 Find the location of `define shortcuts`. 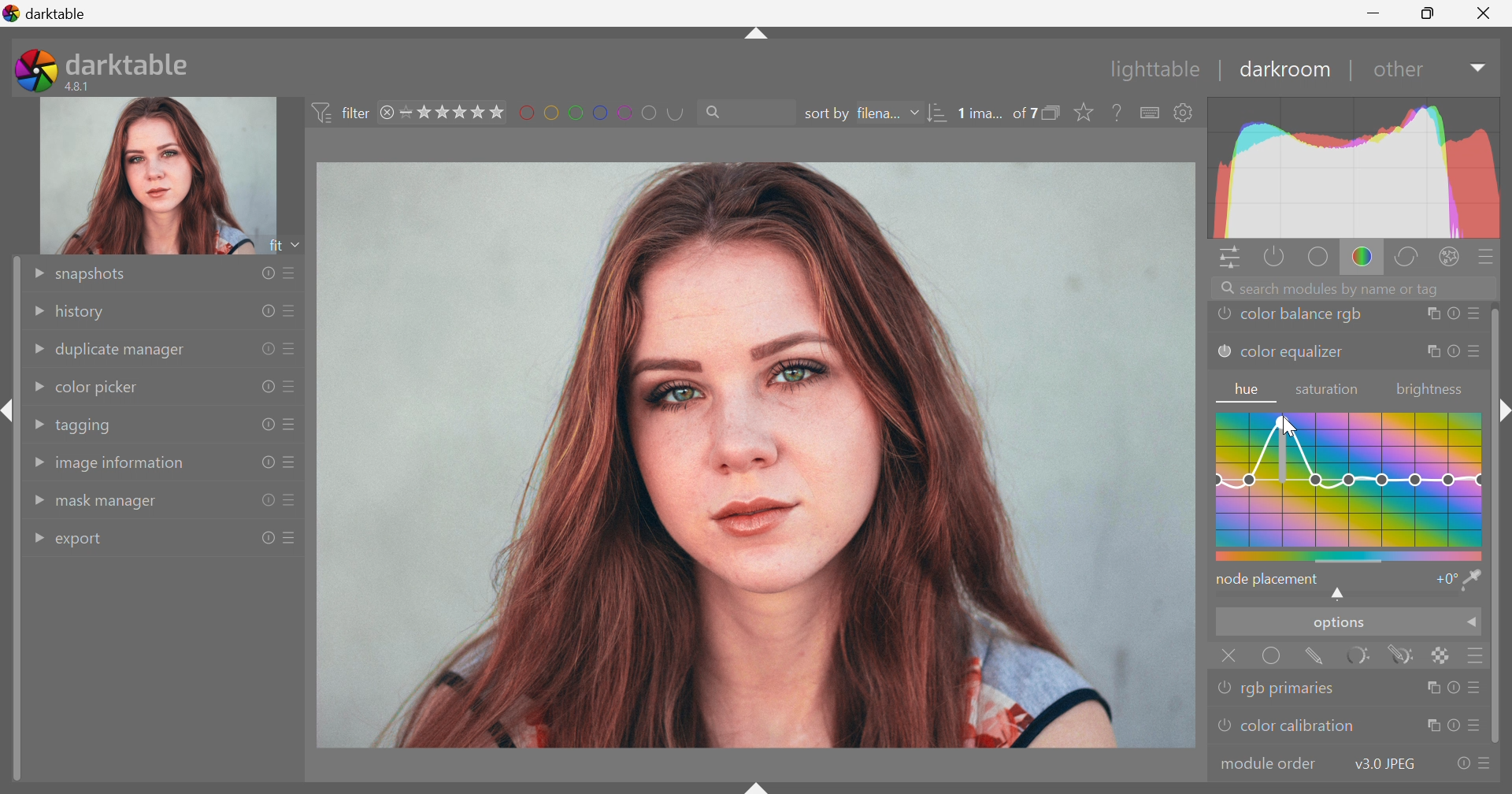

define shortcuts is located at coordinates (1151, 113).